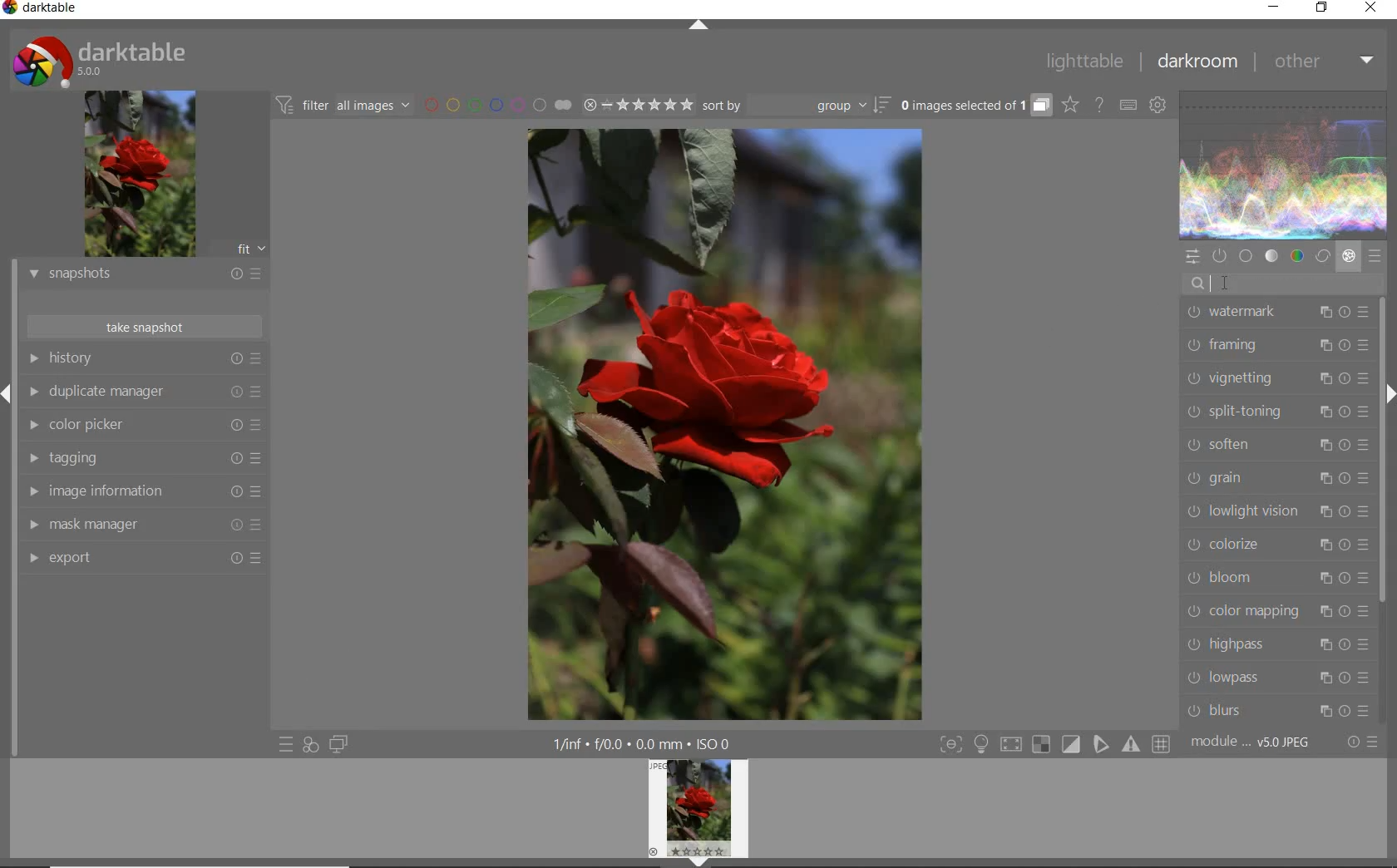 This screenshot has width=1397, height=868. I want to click on color mapping, so click(1275, 614).